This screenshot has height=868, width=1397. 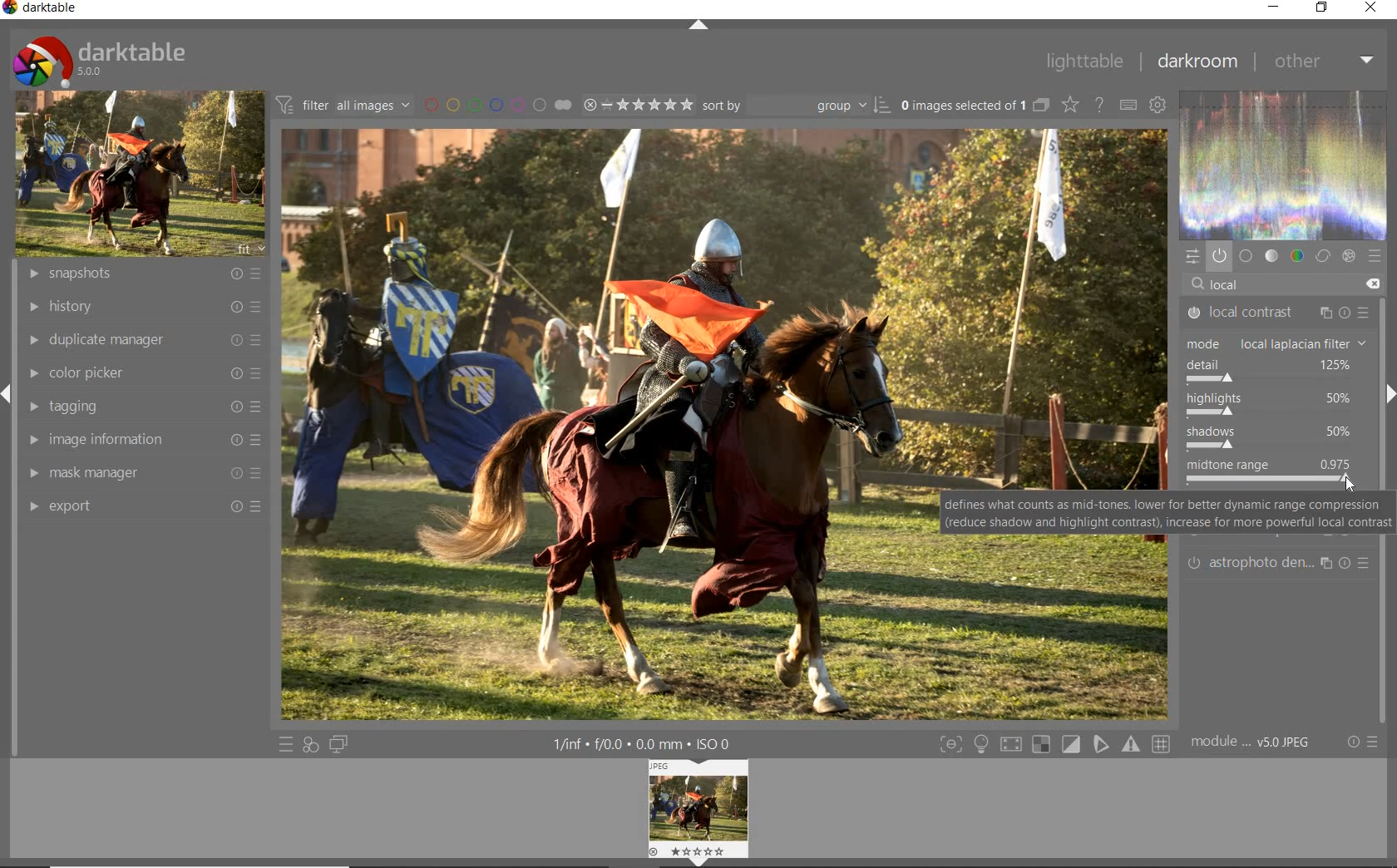 I want to click on selected images, so click(x=973, y=104).